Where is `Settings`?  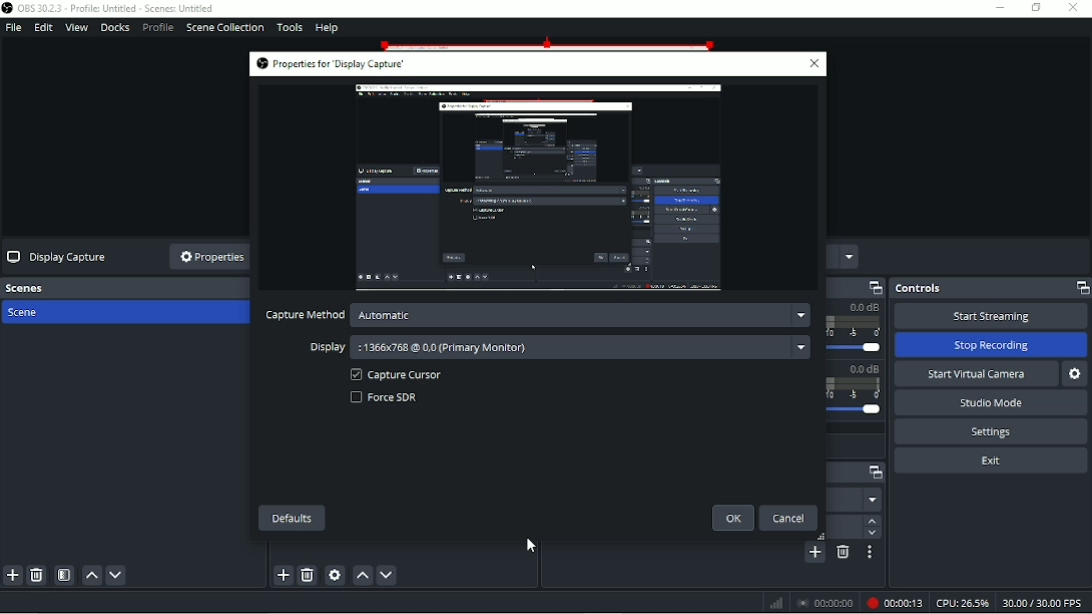
Settings is located at coordinates (990, 431).